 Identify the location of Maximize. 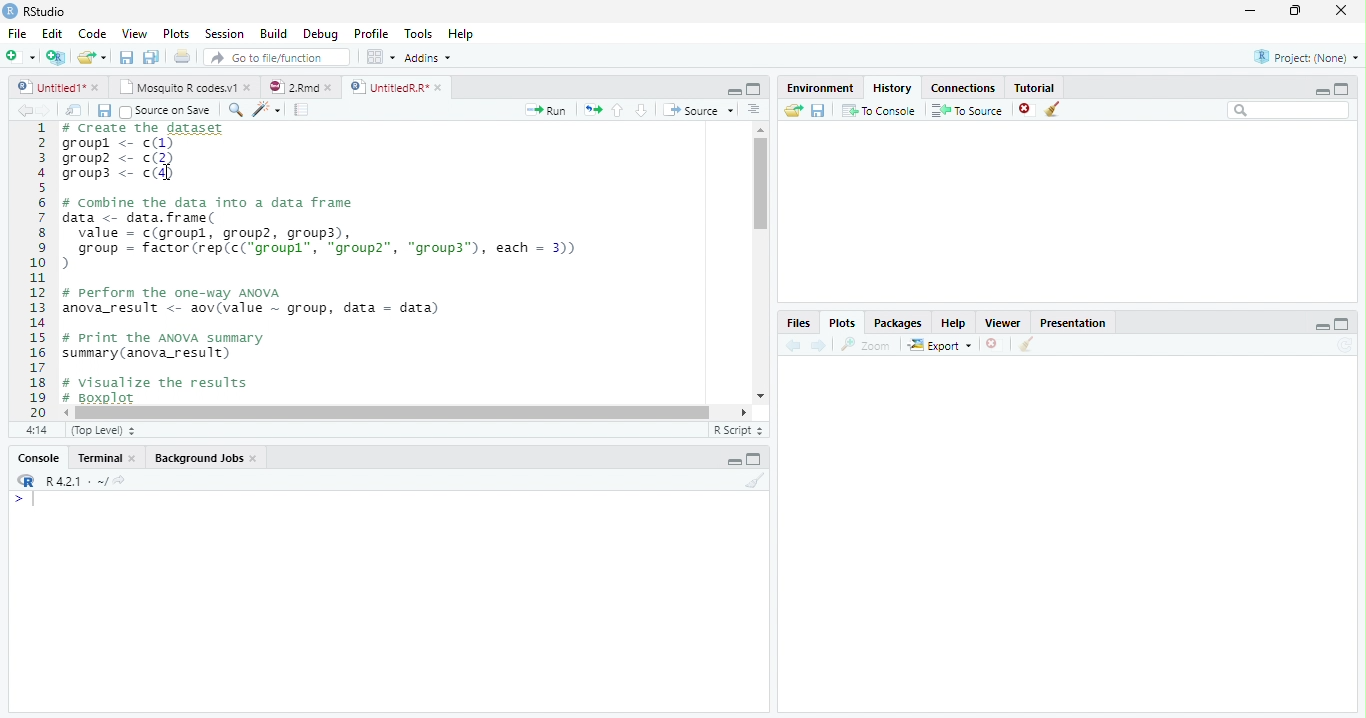
(1342, 325).